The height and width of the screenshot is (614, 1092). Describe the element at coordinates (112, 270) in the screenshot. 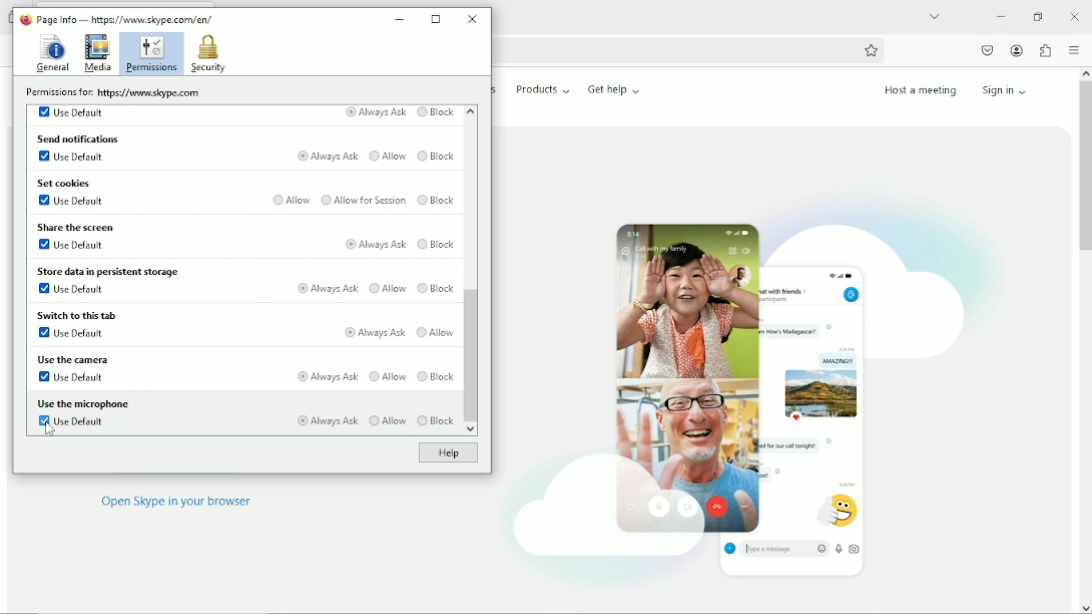

I see `Store data in persistent storage` at that location.